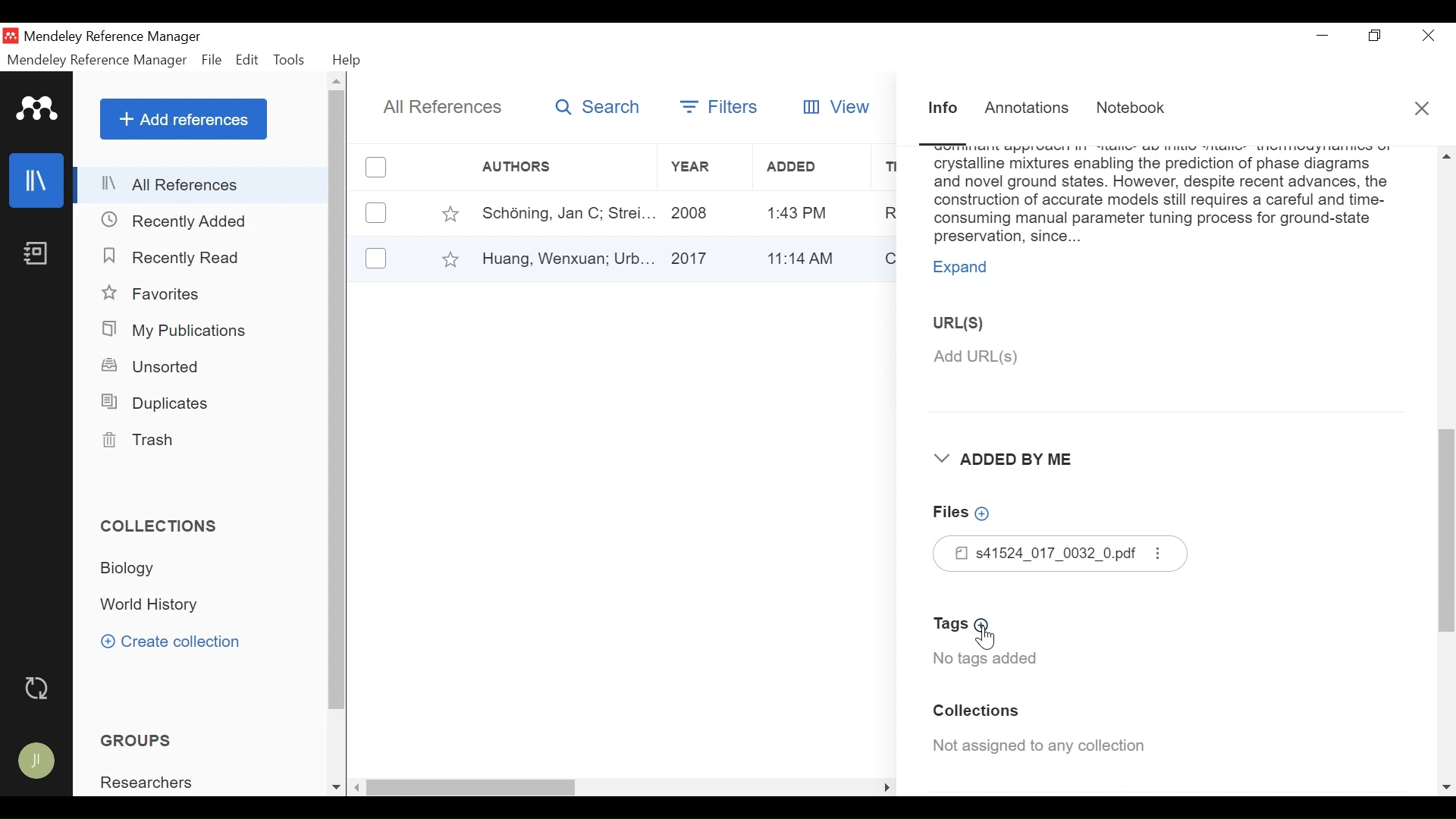 The width and height of the screenshot is (1456, 819). I want to click on Cursor, so click(984, 636).